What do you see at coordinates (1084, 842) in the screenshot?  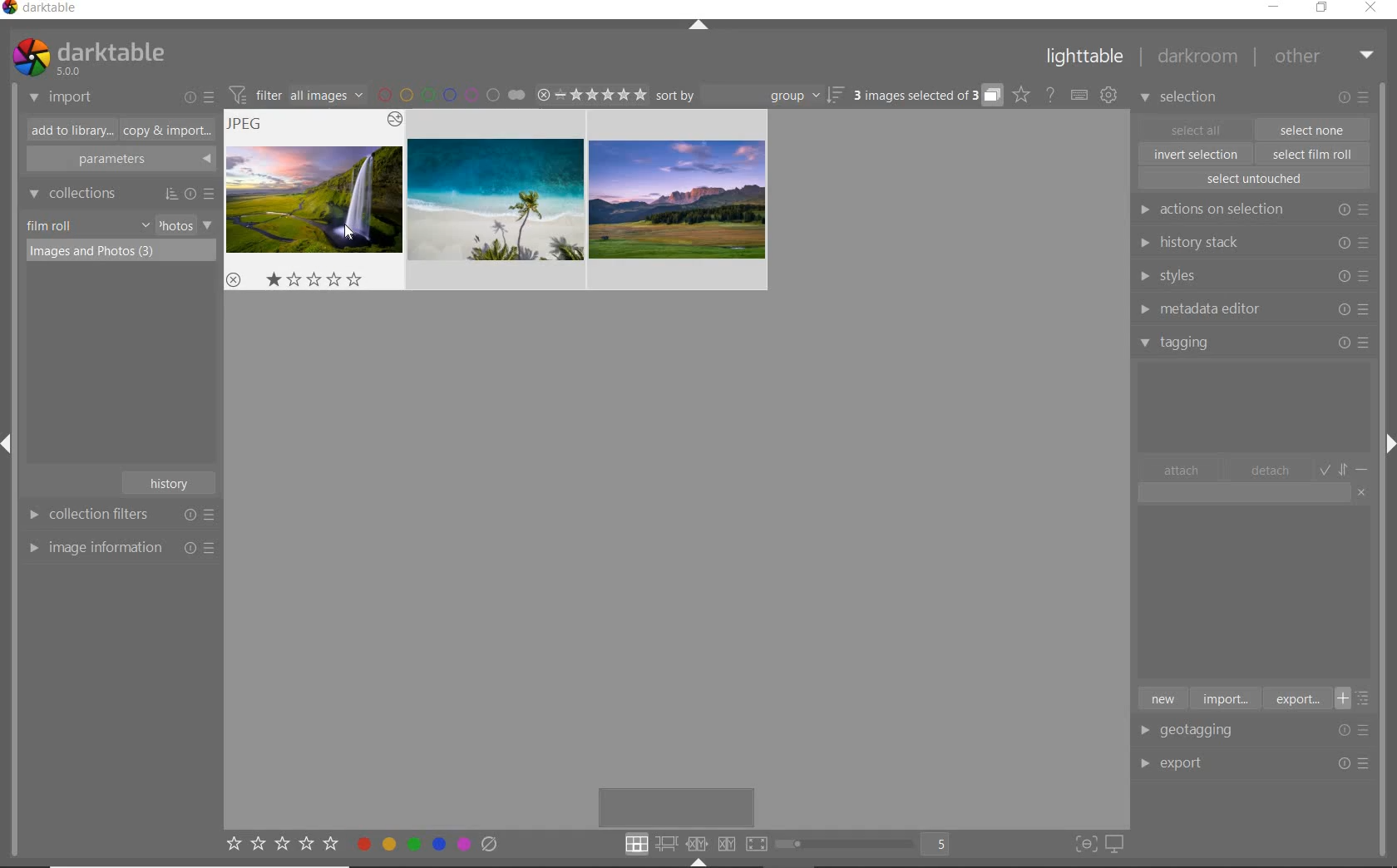 I see `toggle focus-peaking mode` at bounding box center [1084, 842].